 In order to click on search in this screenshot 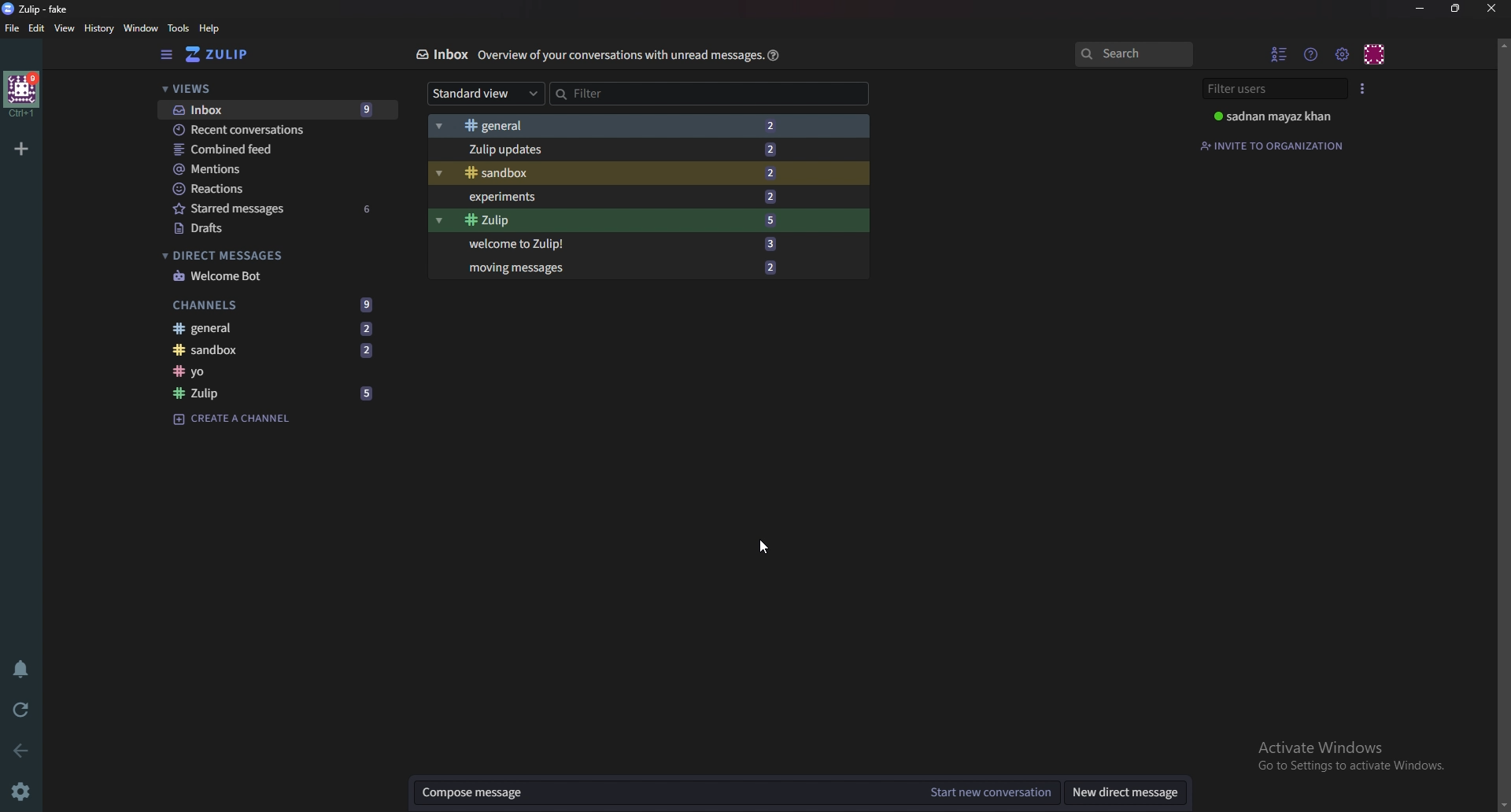, I will do `click(1133, 54)`.